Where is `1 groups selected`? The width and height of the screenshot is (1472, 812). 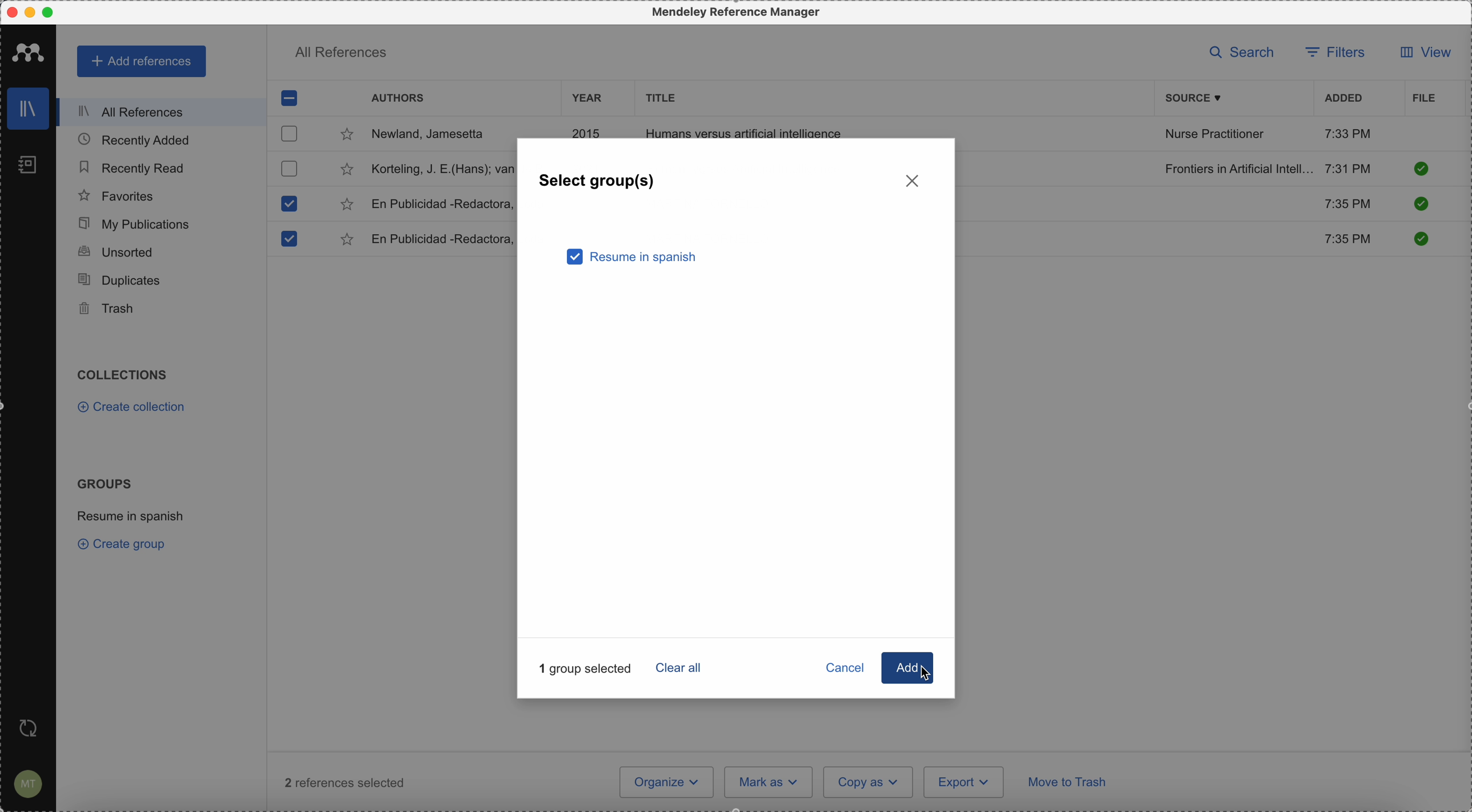 1 groups selected is located at coordinates (590, 667).